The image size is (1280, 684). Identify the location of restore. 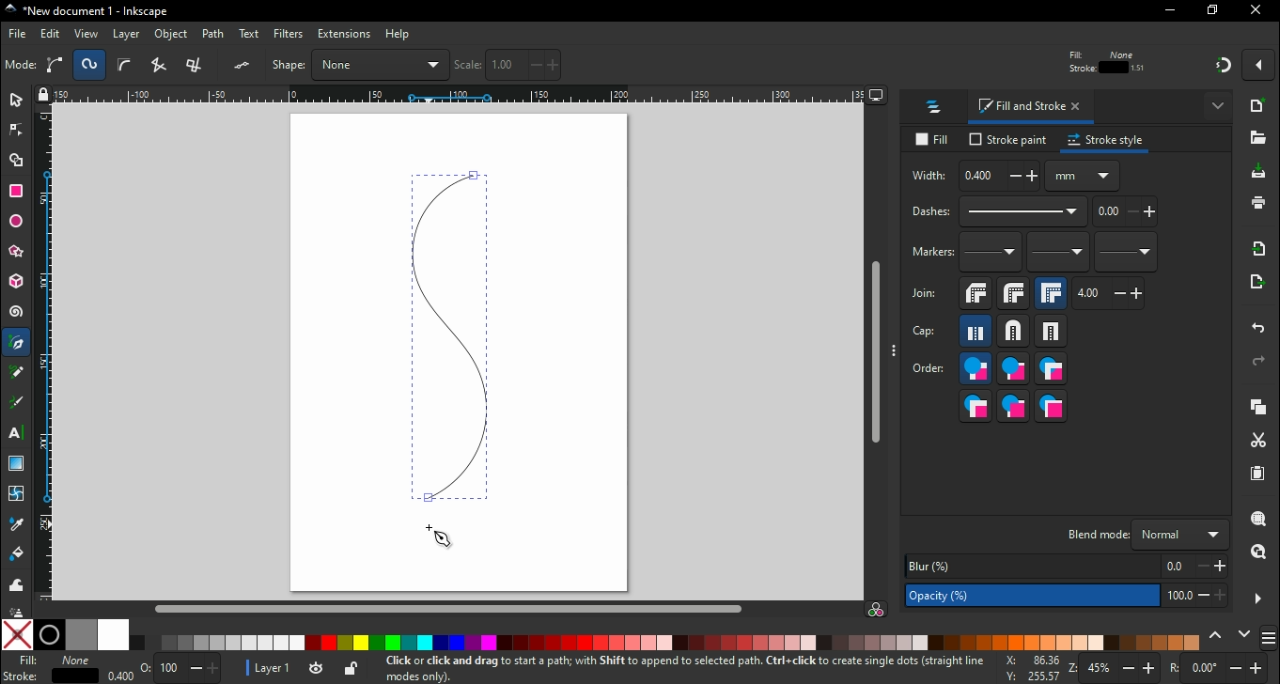
(1214, 12).